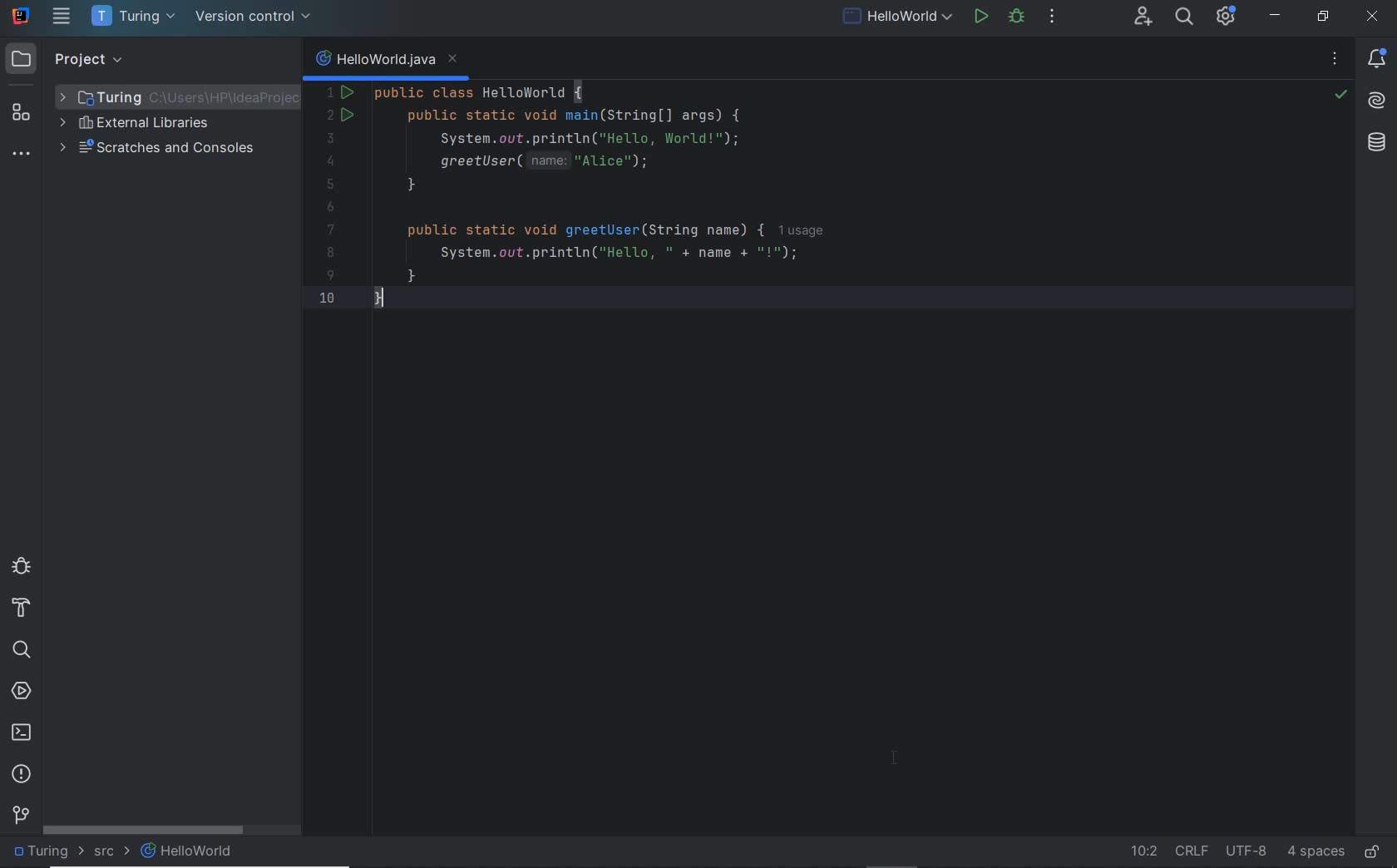 This screenshot has width=1397, height=868. What do you see at coordinates (1373, 853) in the screenshot?
I see `make file ready only` at bounding box center [1373, 853].